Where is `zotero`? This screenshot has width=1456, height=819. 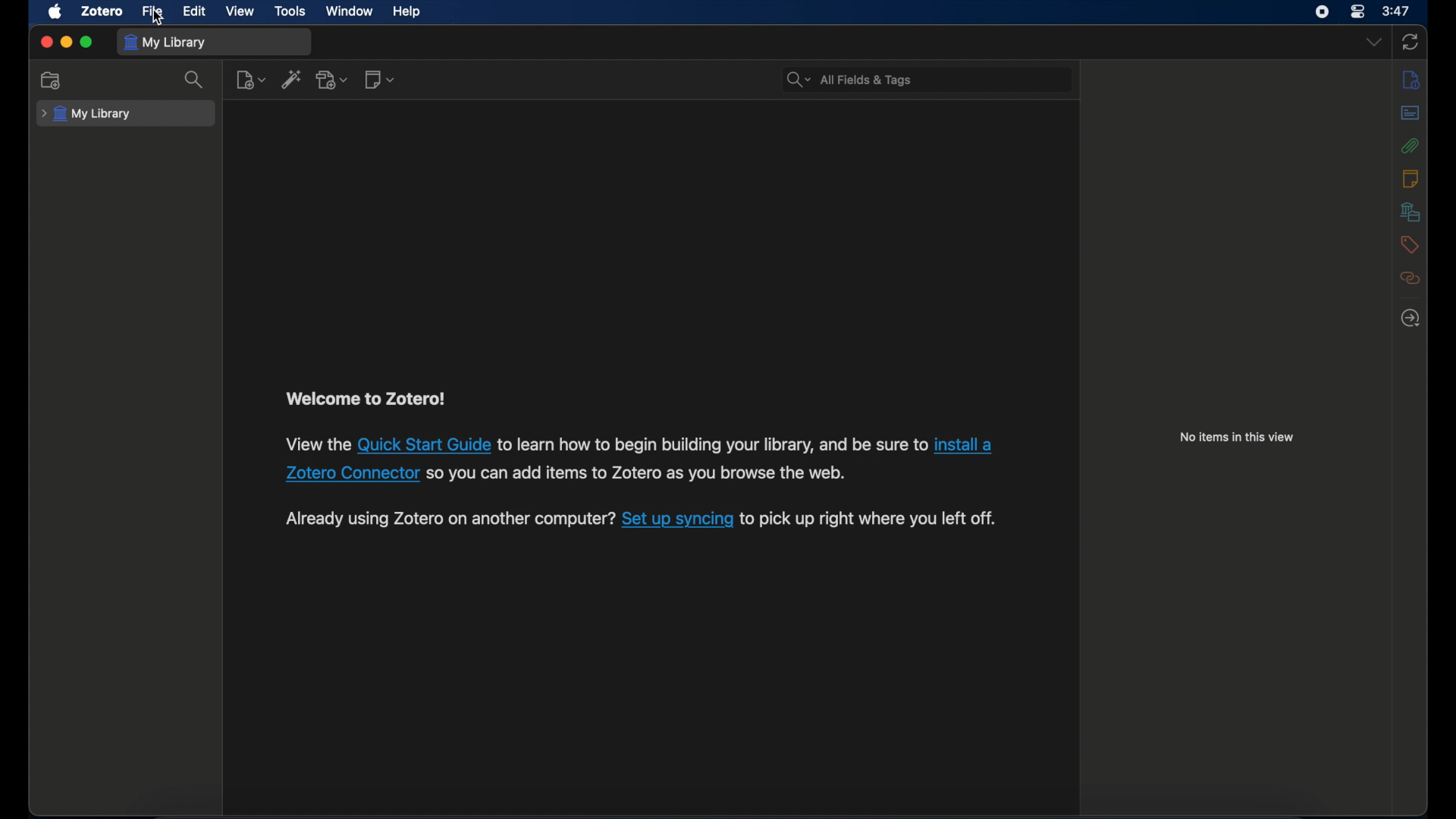 zotero is located at coordinates (103, 11).